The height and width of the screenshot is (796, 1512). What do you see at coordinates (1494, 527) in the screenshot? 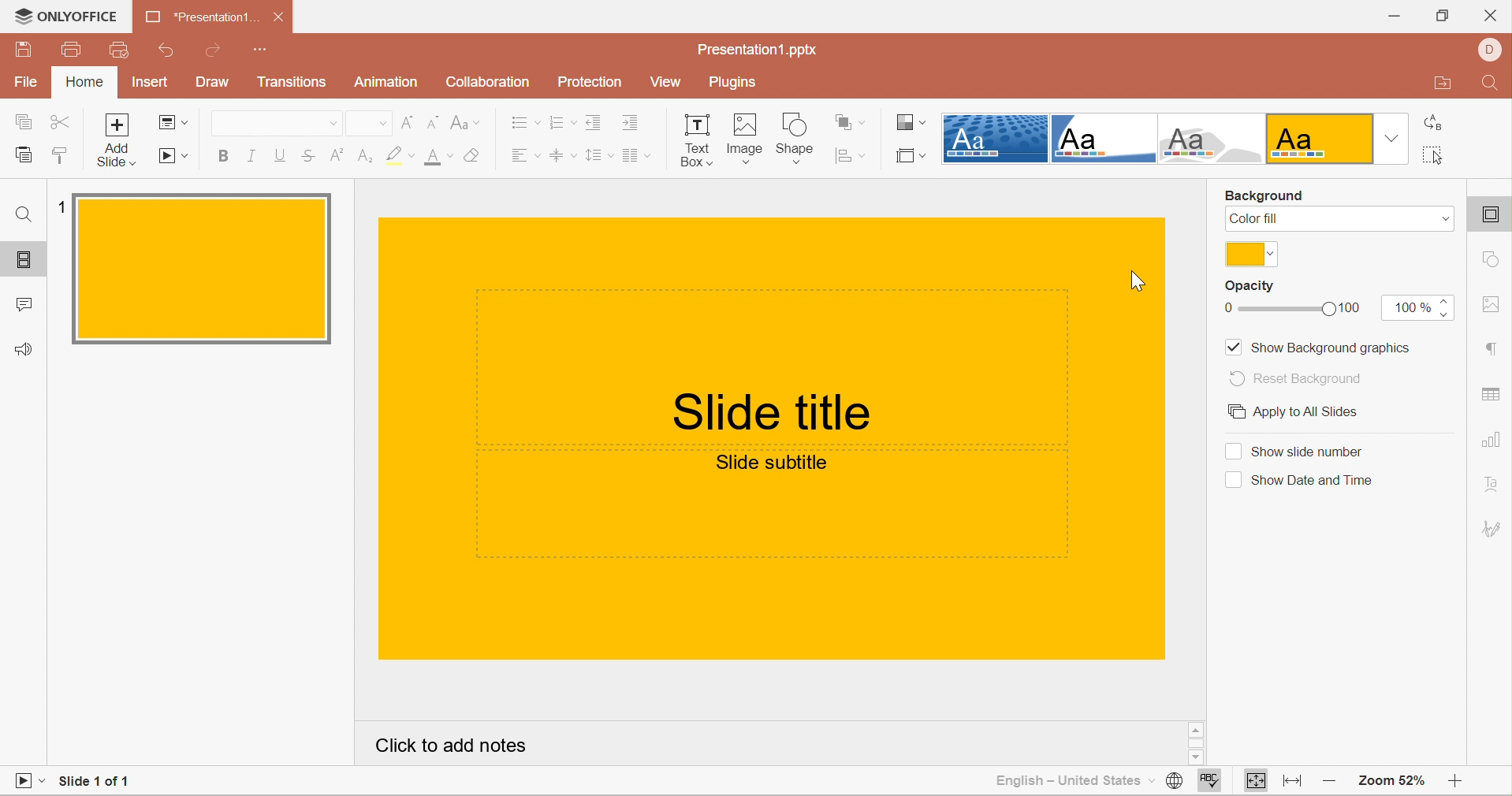
I see `Signature settings` at bounding box center [1494, 527].